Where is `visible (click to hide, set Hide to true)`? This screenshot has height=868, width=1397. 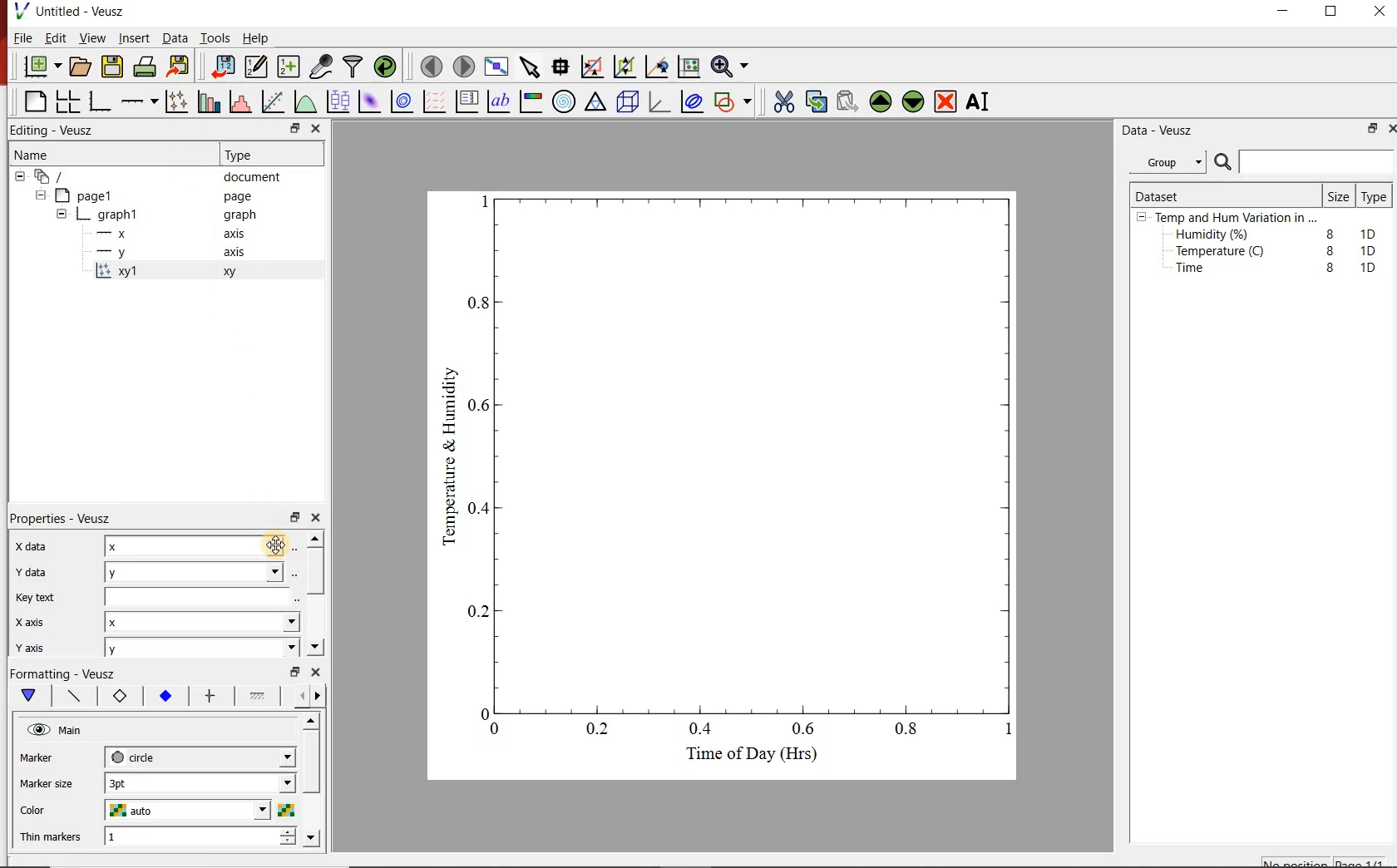
visible (click to hide, set Hide to true) is located at coordinates (37, 731).